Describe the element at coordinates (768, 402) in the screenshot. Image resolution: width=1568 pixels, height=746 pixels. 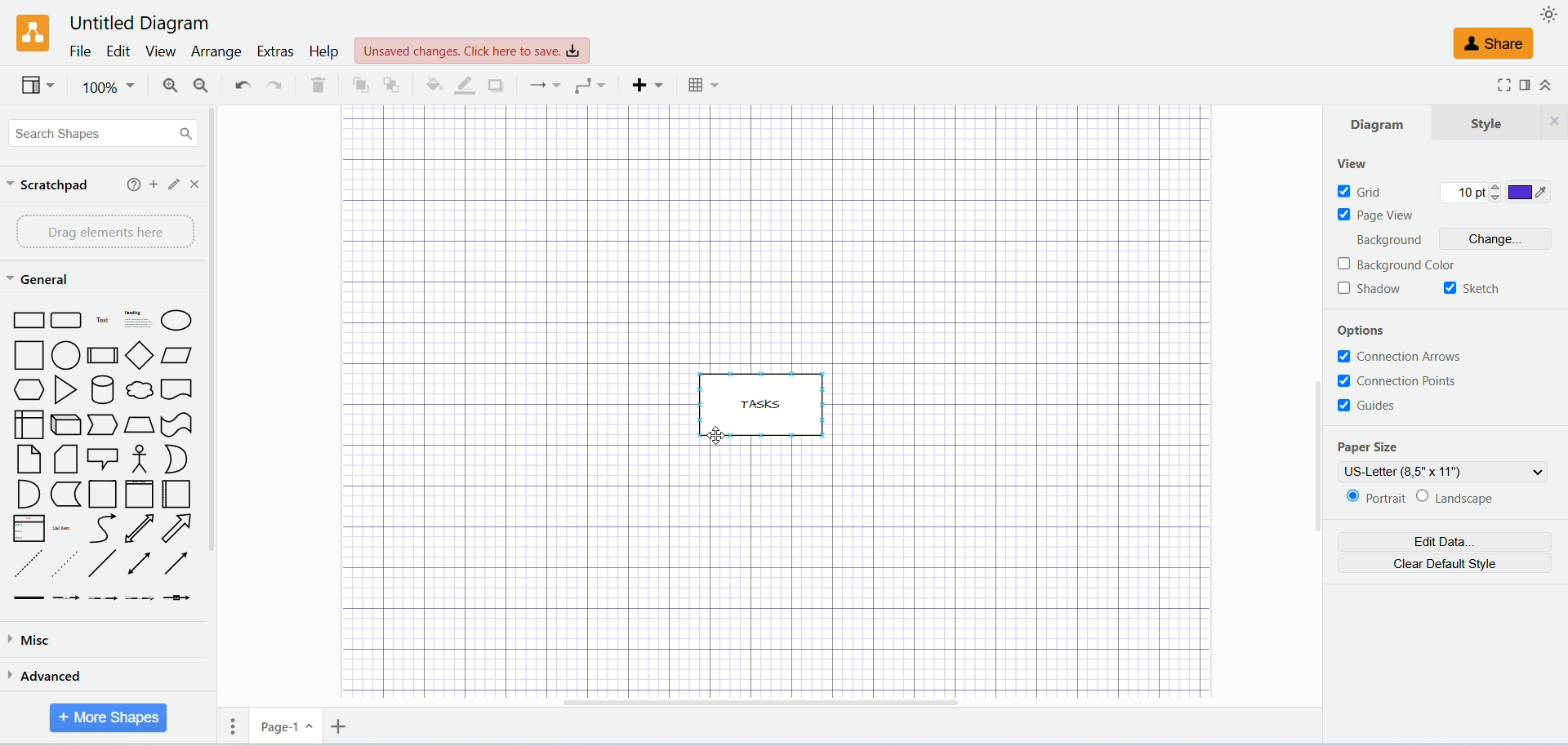
I see `Tasks` at that location.